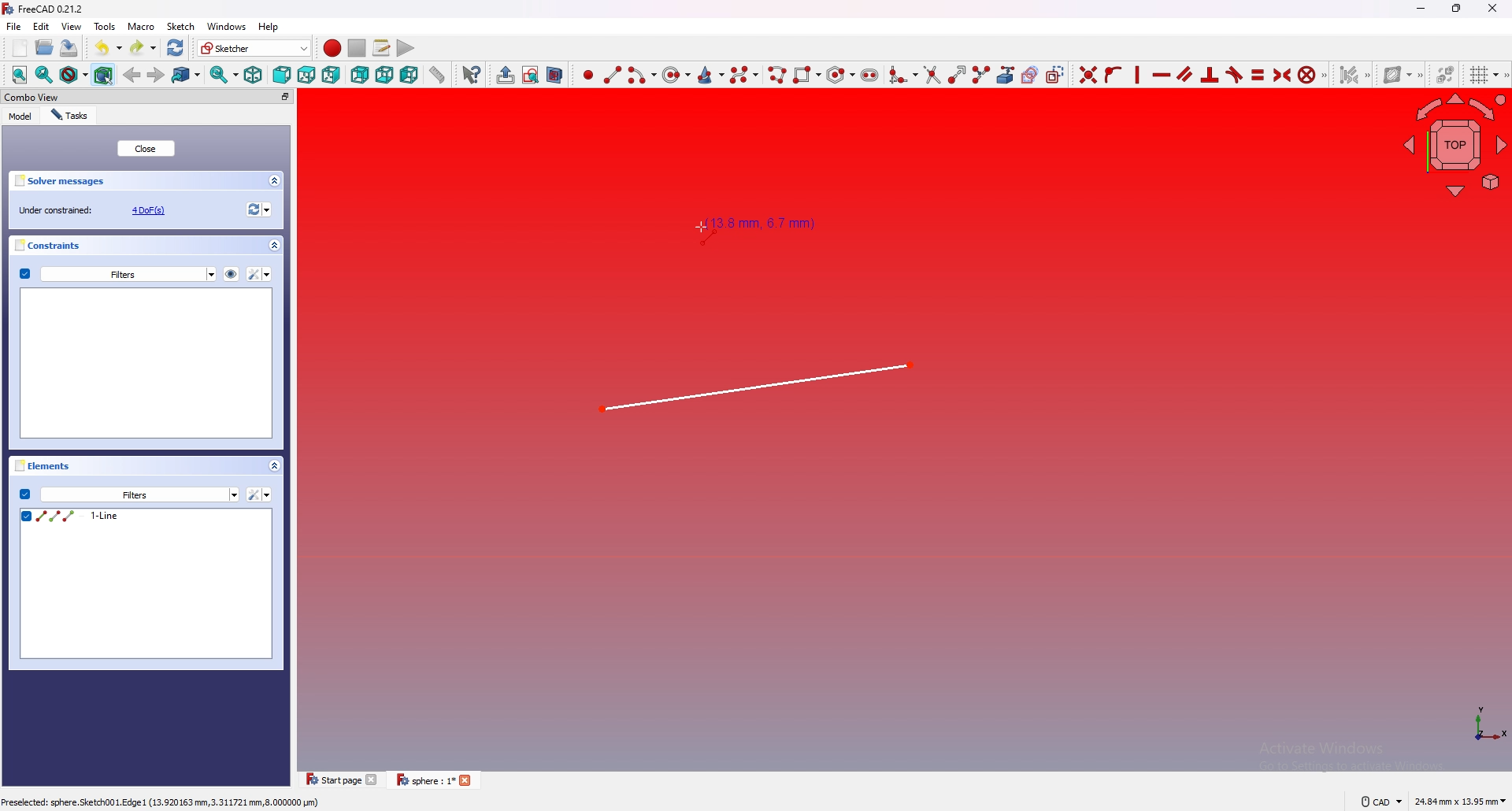  I want to click on T-line, so click(147, 585).